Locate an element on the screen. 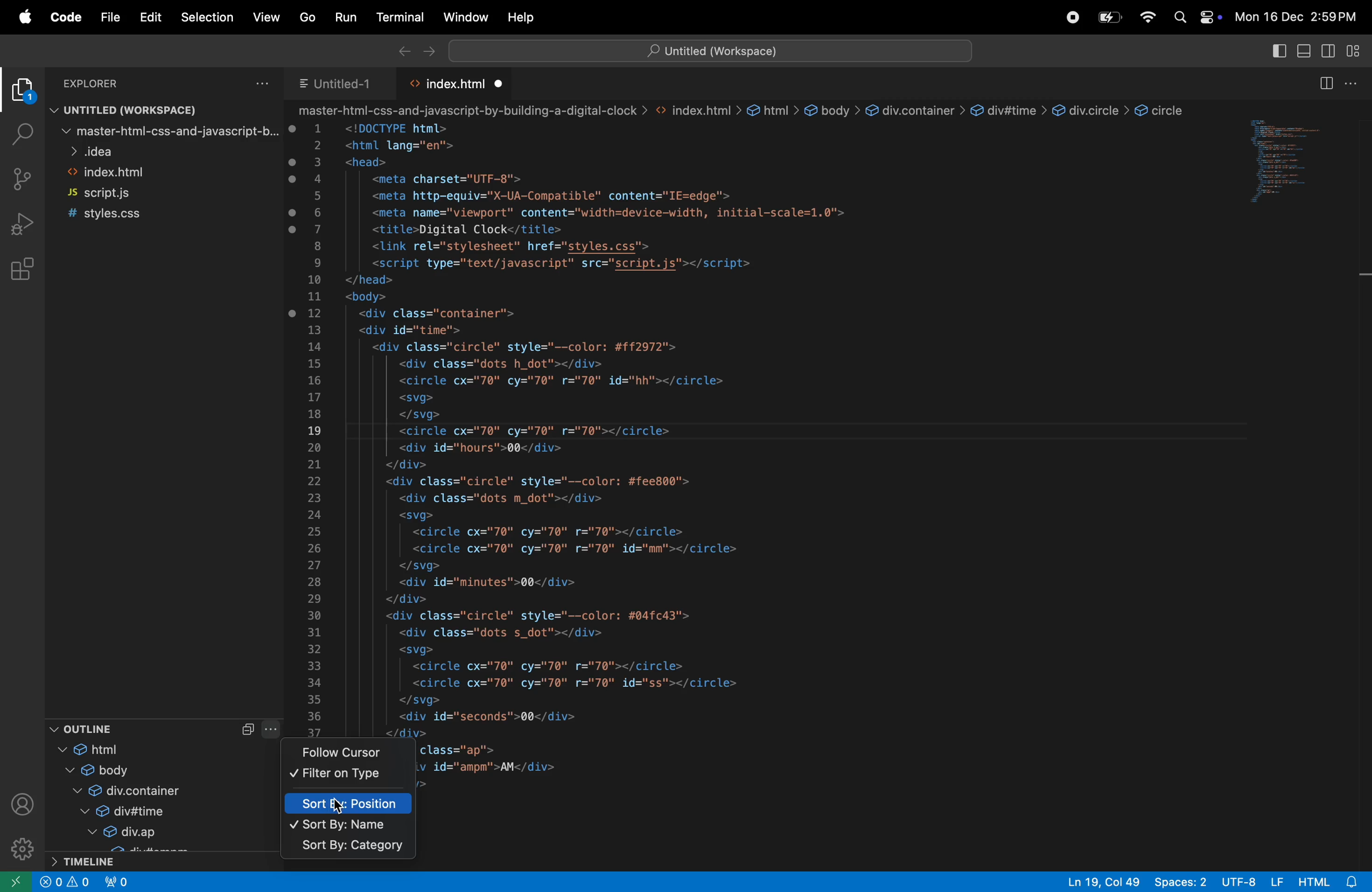  toggle panel is located at coordinates (1304, 52).